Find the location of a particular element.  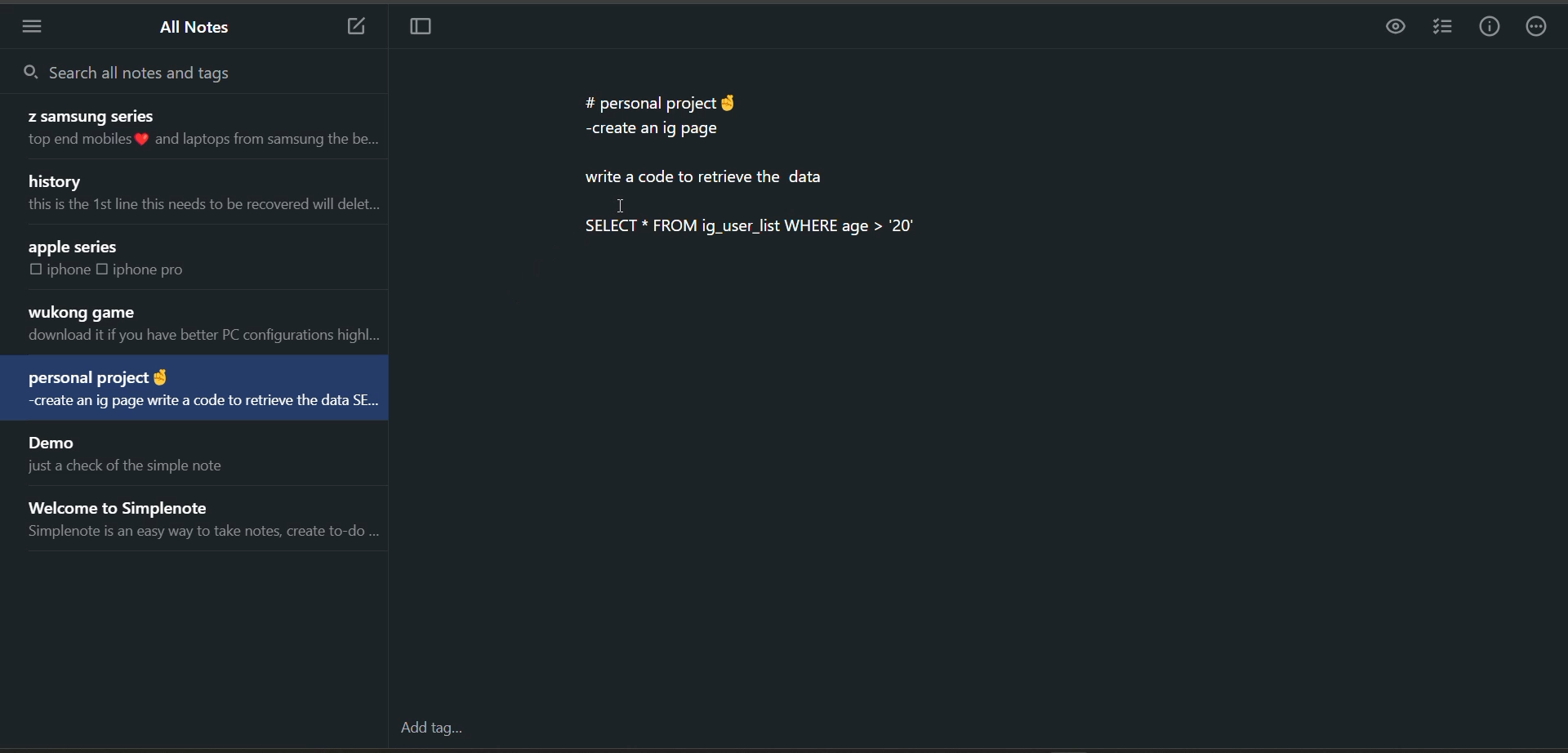

# personal project &
-create an ig page
write a code to retrieve the data
I
SELECT * FROM ig_user_list WHERE age > '20" is located at coordinates (751, 171).